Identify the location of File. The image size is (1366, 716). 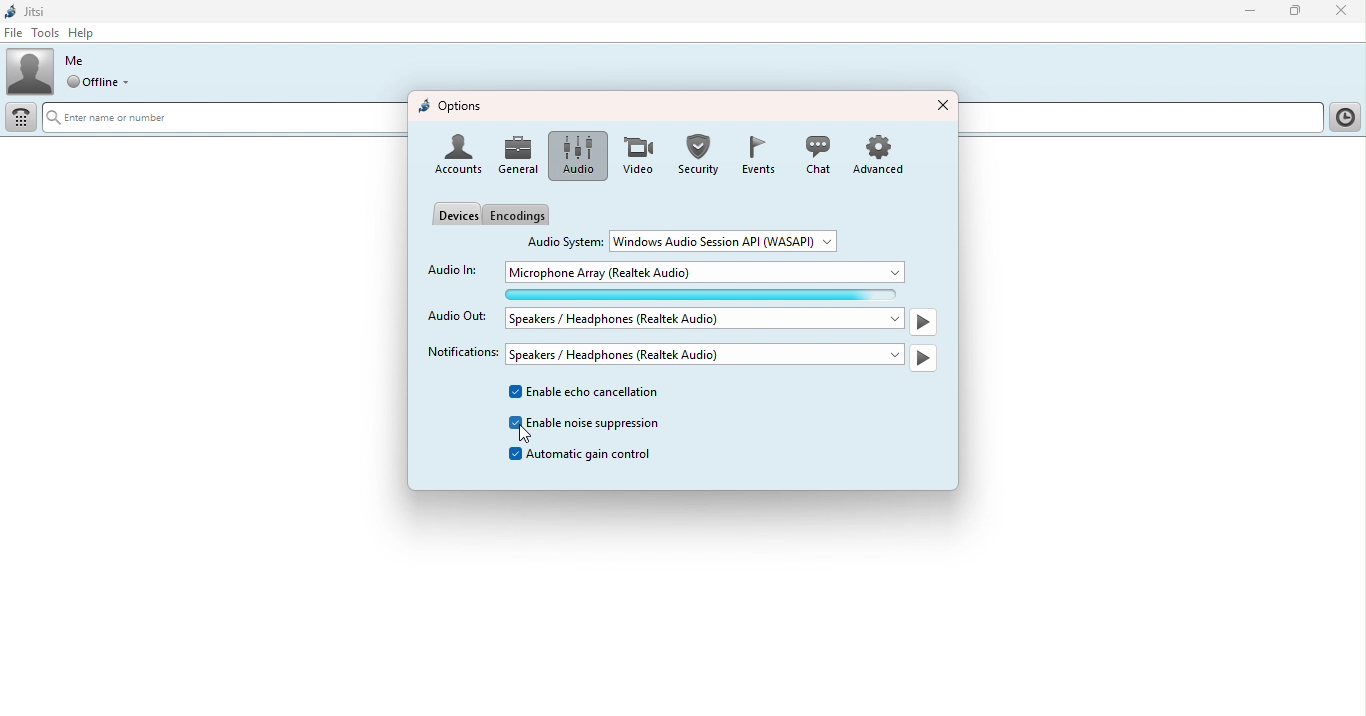
(14, 33).